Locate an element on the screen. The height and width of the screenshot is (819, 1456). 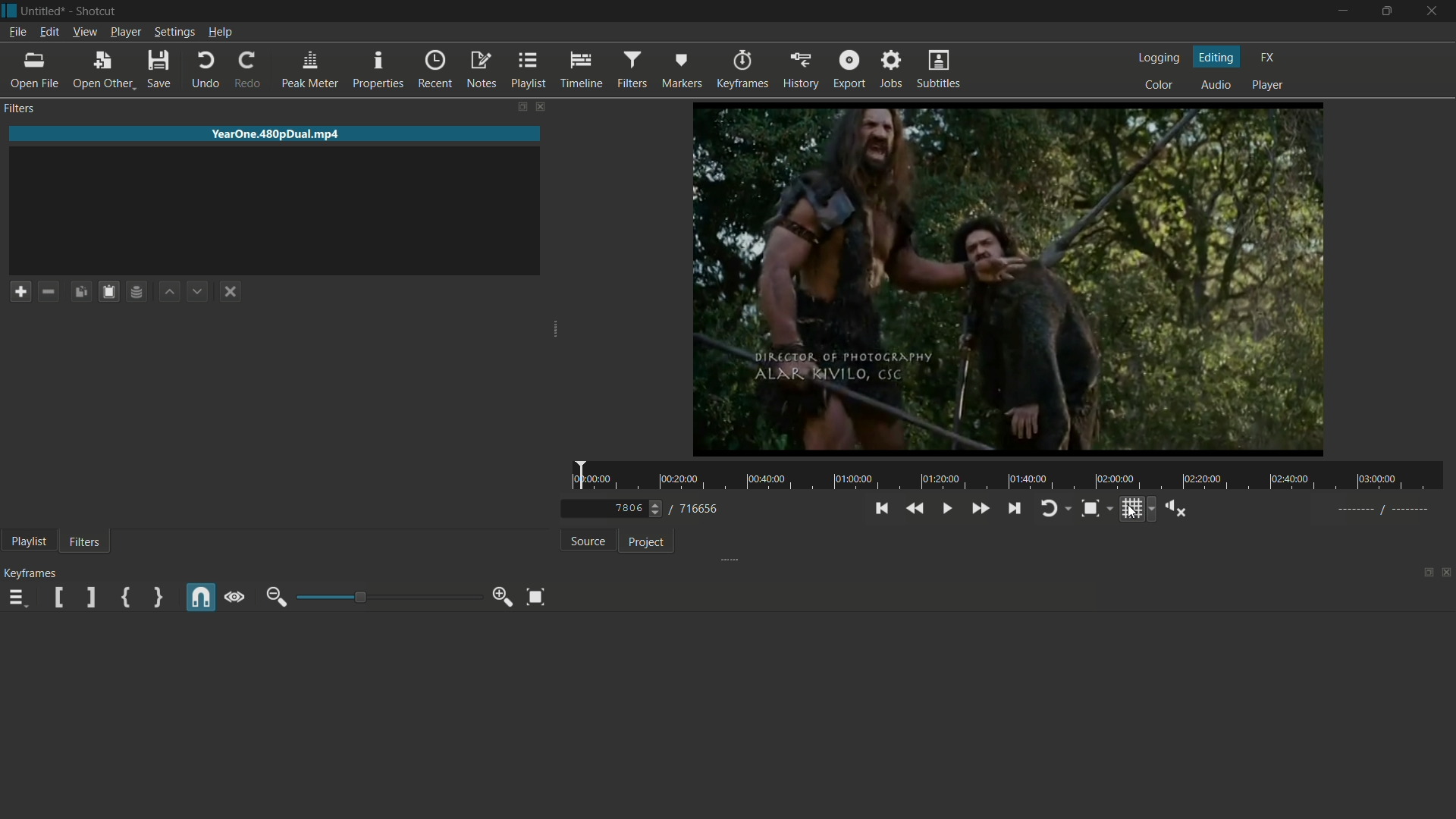
total frames is located at coordinates (701, 510).